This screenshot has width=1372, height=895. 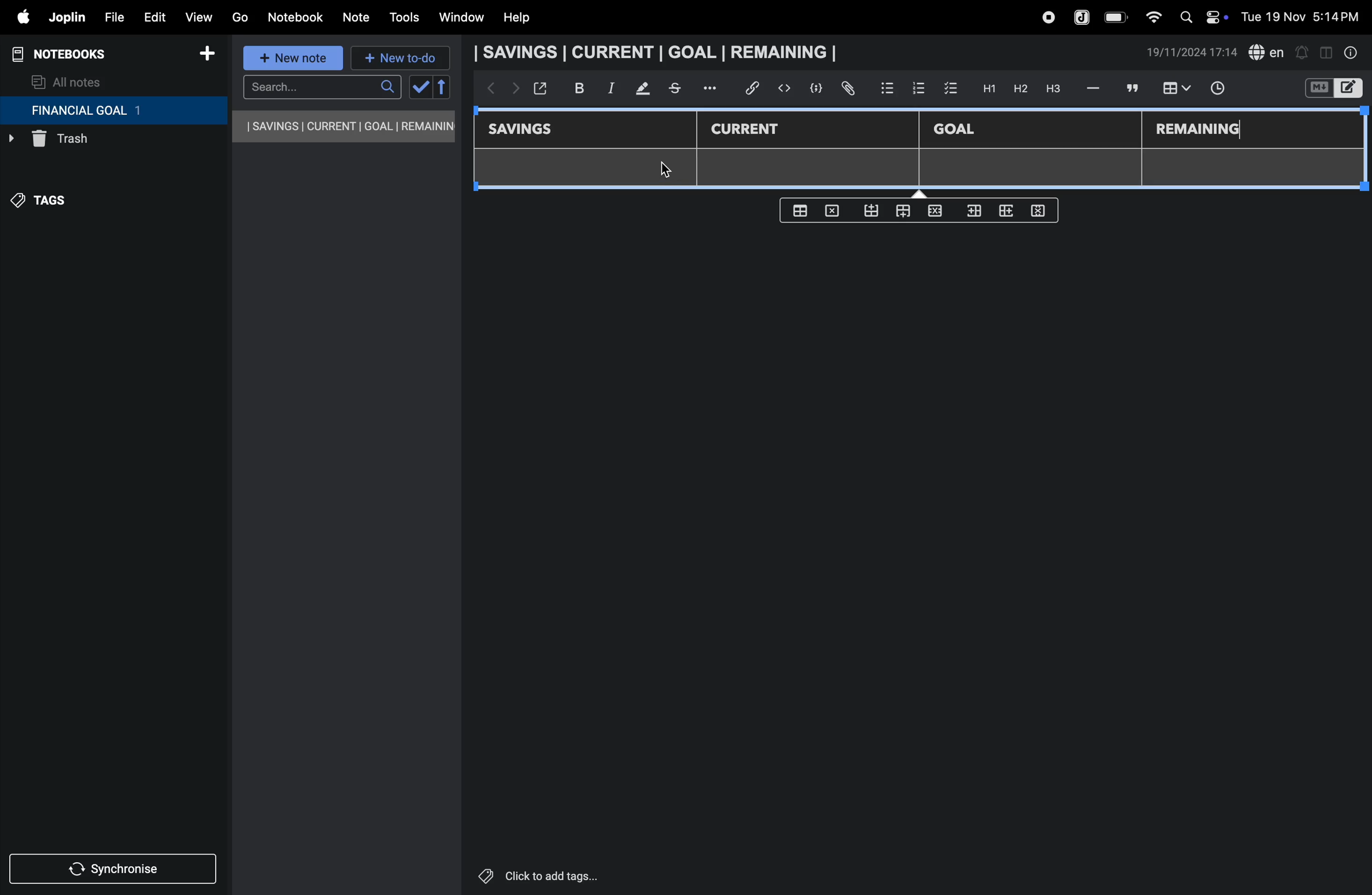 I want to click on open window, so click(x=539, y=88).